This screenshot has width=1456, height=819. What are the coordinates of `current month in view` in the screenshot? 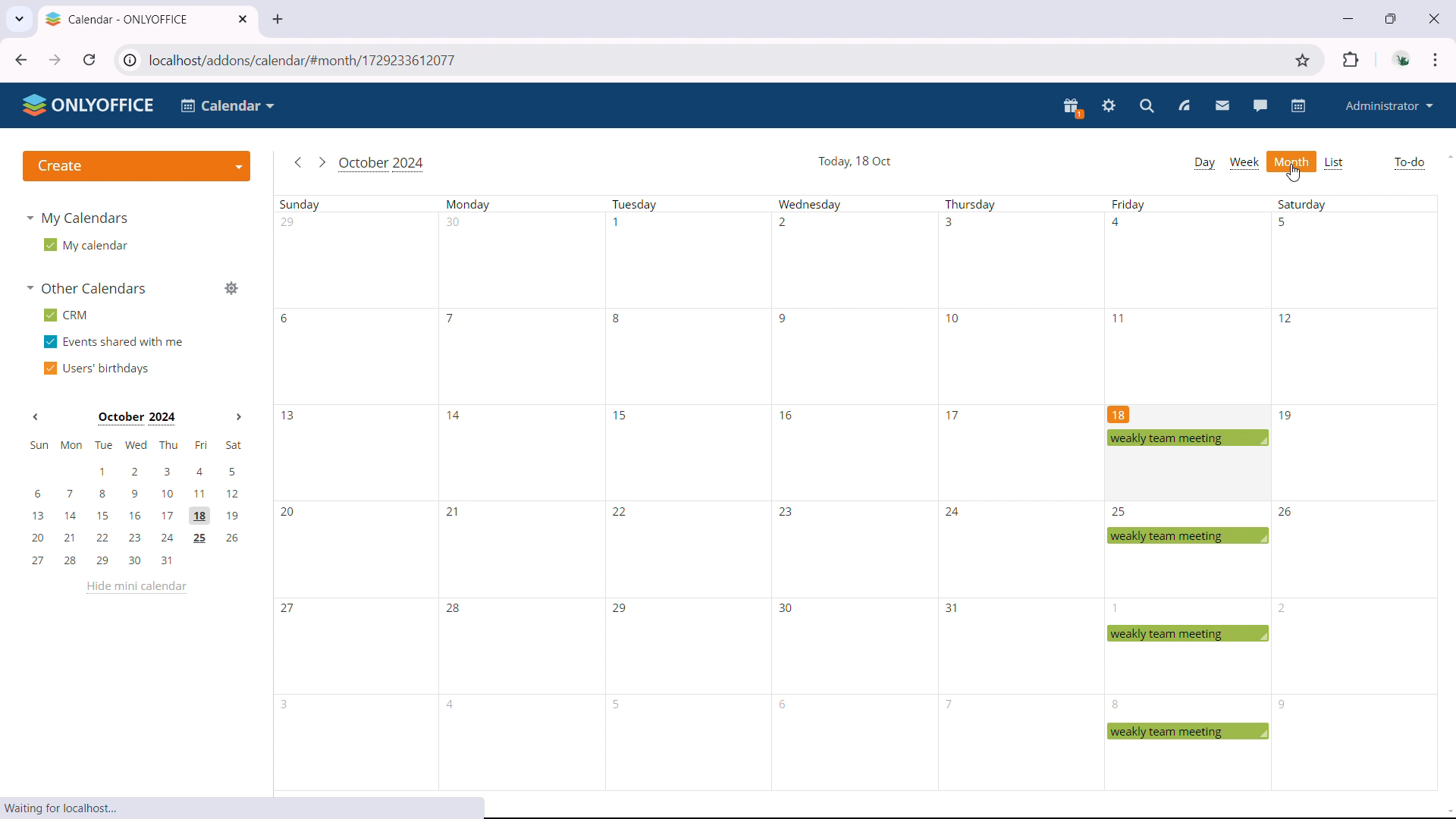 It's located at (384, 165).